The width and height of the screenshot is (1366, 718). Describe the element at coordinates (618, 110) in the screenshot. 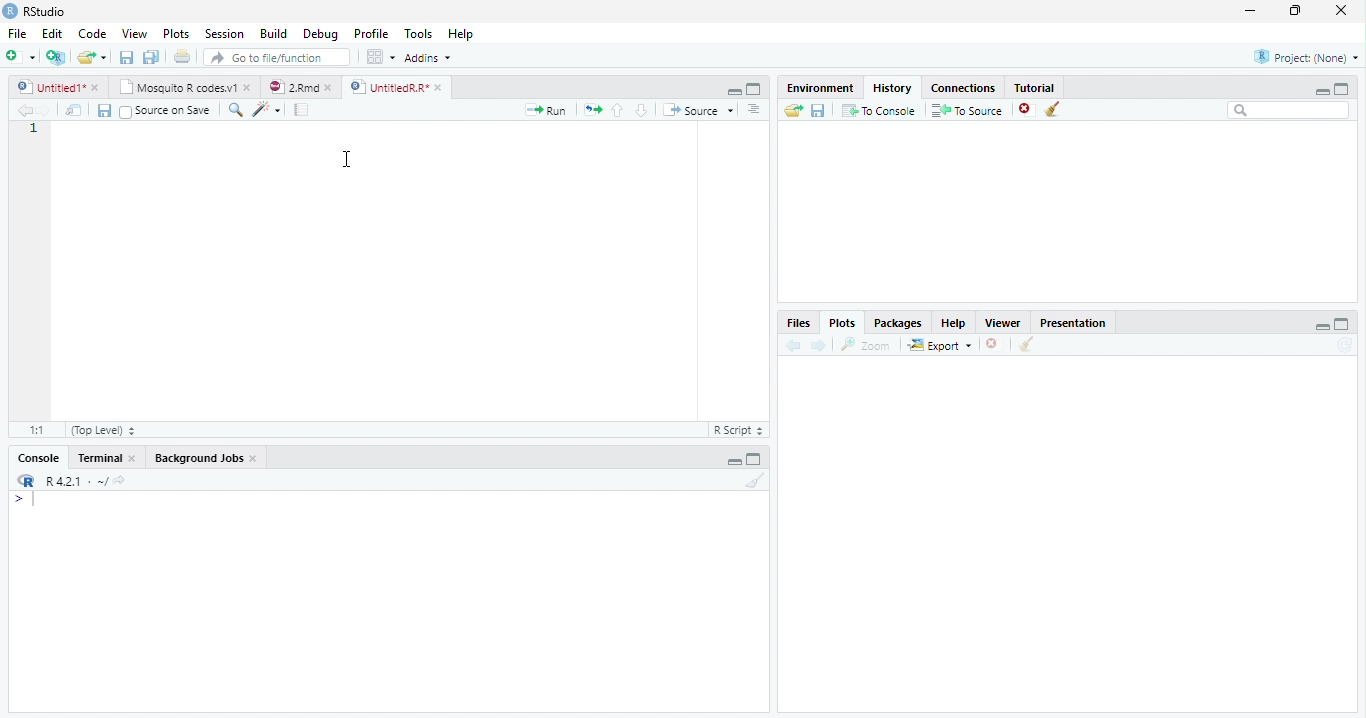

I see `Up` at that location.